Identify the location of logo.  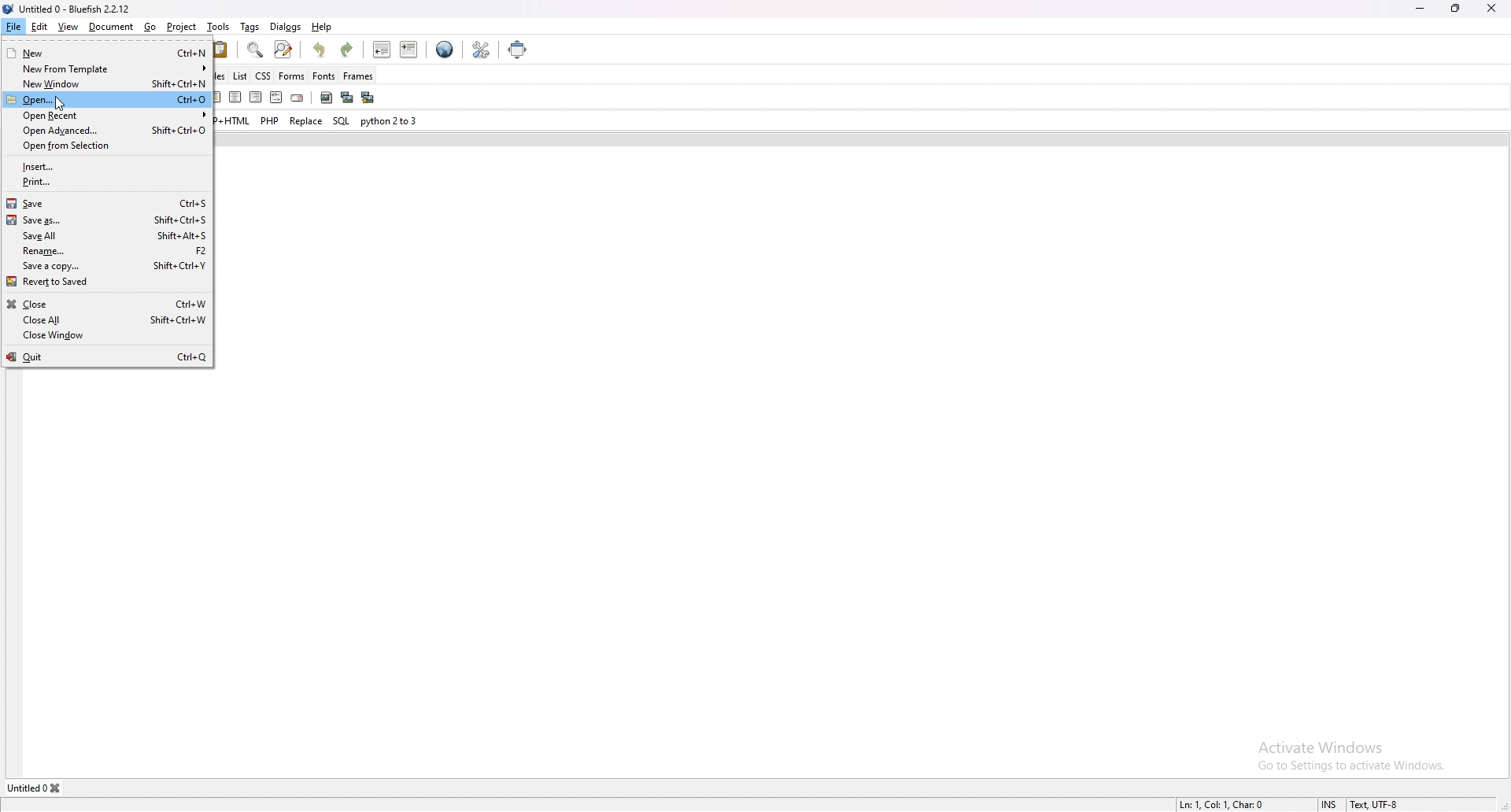
(11, 9).